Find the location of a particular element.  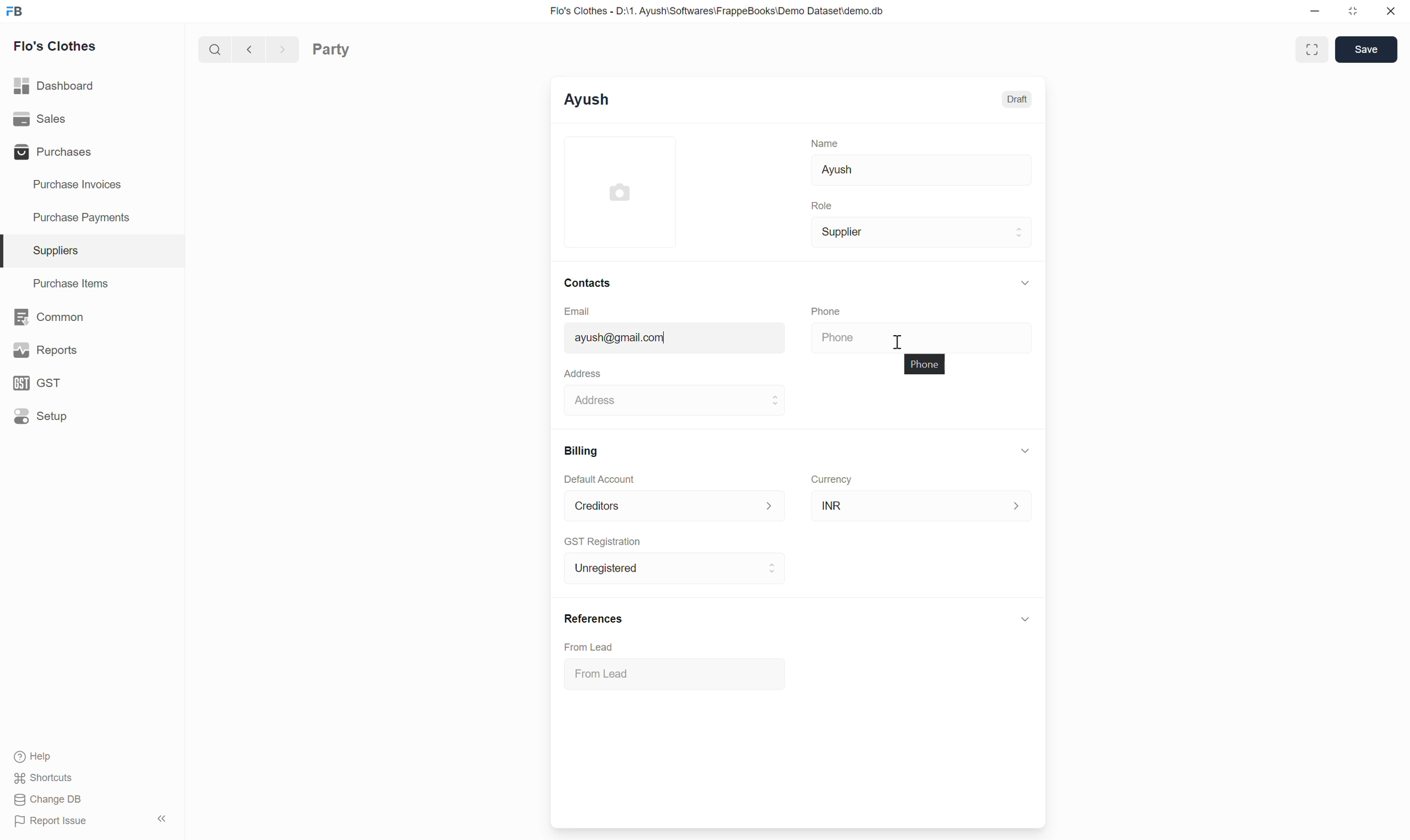

Click to collapse is located at coordinates (1026, 619).